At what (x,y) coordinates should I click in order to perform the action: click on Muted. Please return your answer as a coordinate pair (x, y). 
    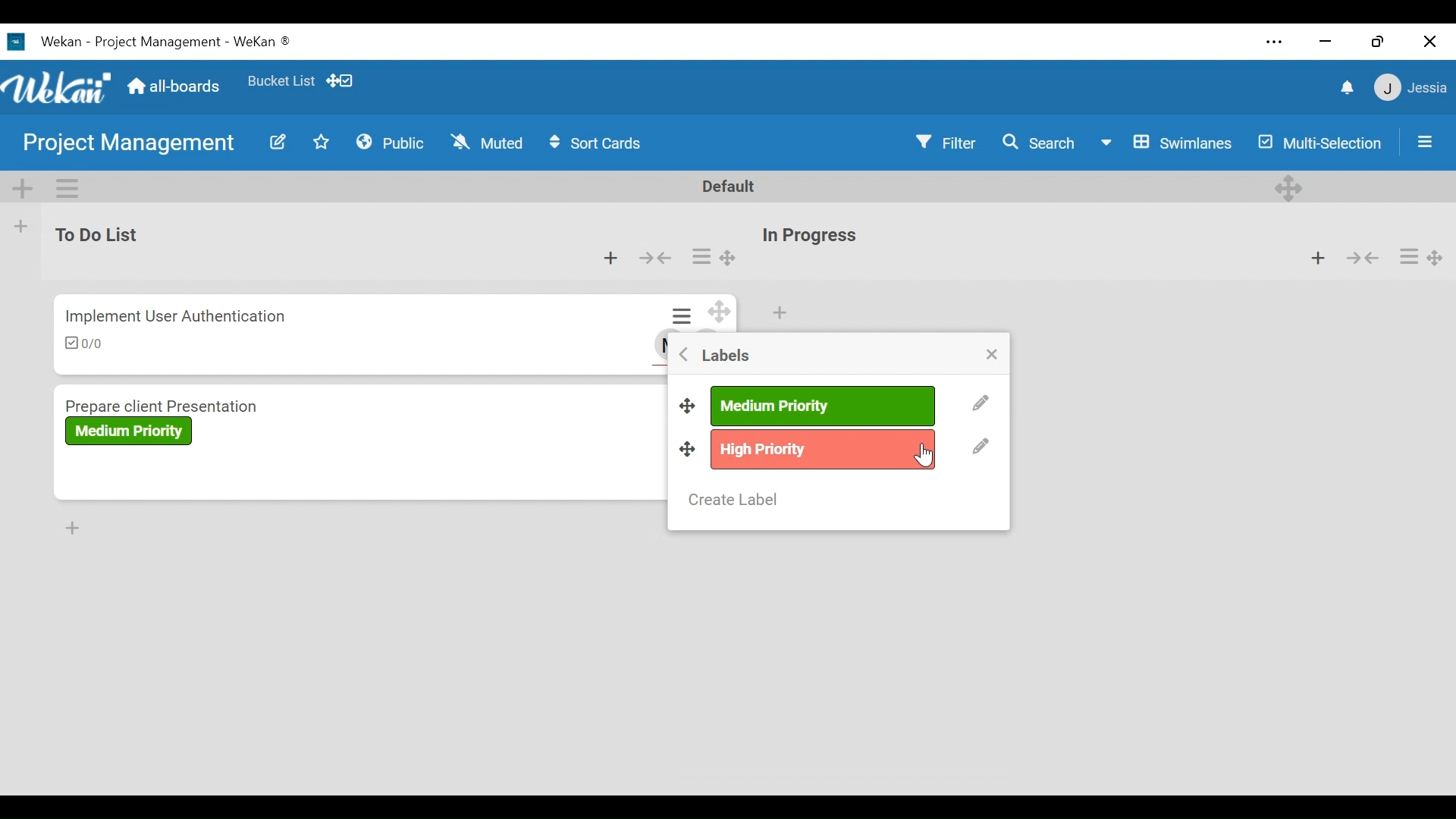
    Looking at the image, I should click on (486, 142).